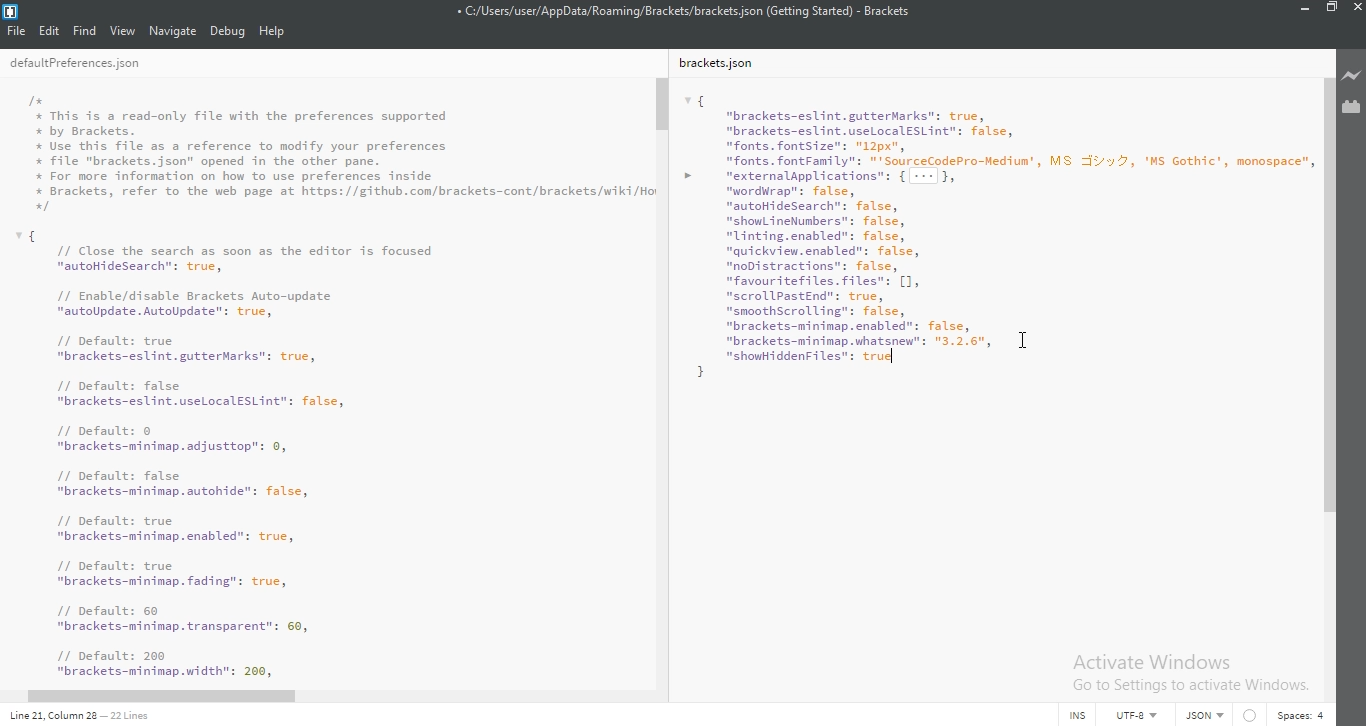 This screenshot has width=1366, height=726. What do you see at coordinates (1132, 714) in the screenshot?
I see `UTF-8` at bounding box center [1132, 714].